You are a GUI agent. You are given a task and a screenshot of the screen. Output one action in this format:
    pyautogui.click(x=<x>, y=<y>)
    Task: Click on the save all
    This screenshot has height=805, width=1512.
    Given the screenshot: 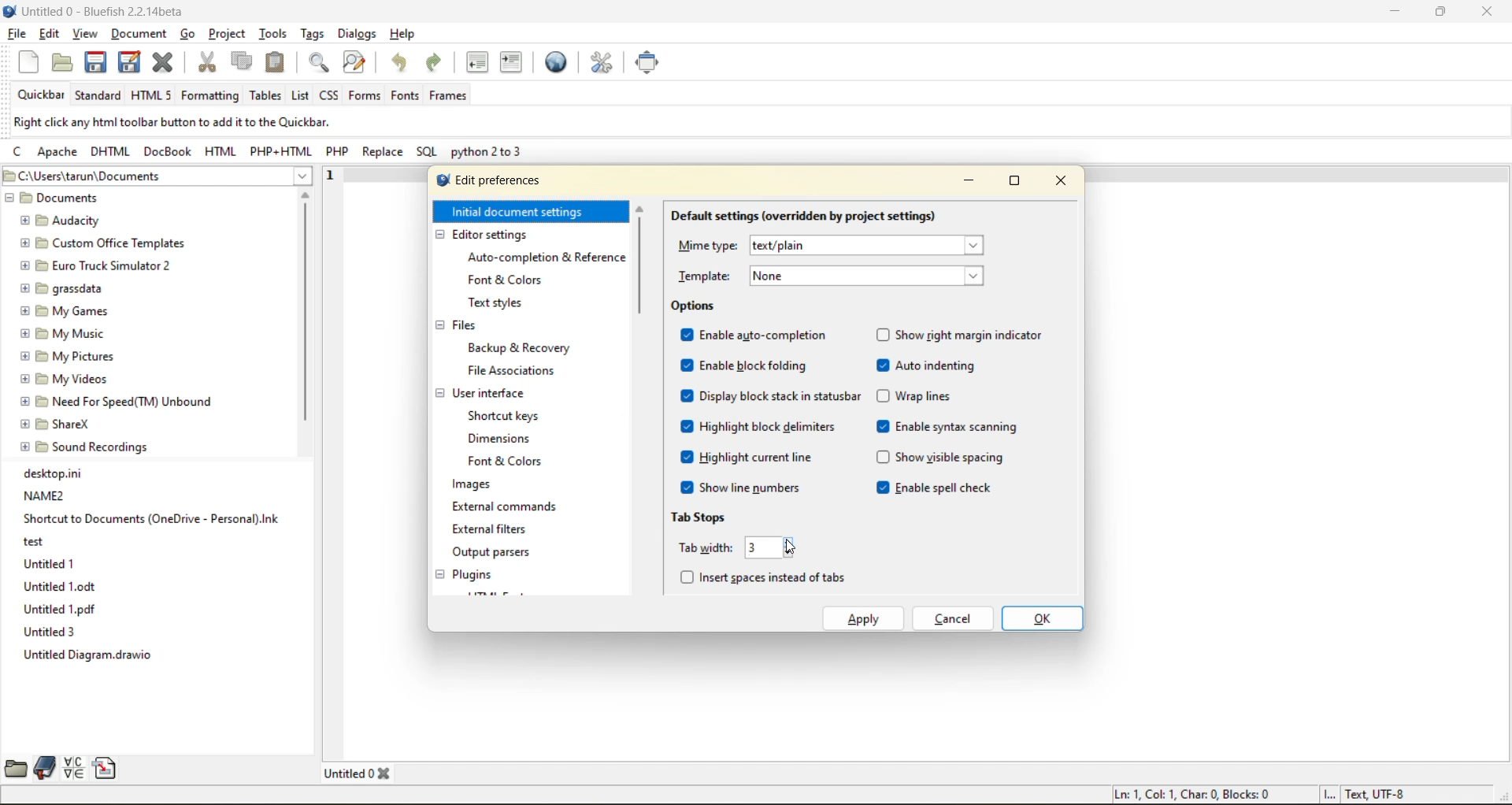 What is the action you would take?
    pyautogui.click(x=128, y=61)
    